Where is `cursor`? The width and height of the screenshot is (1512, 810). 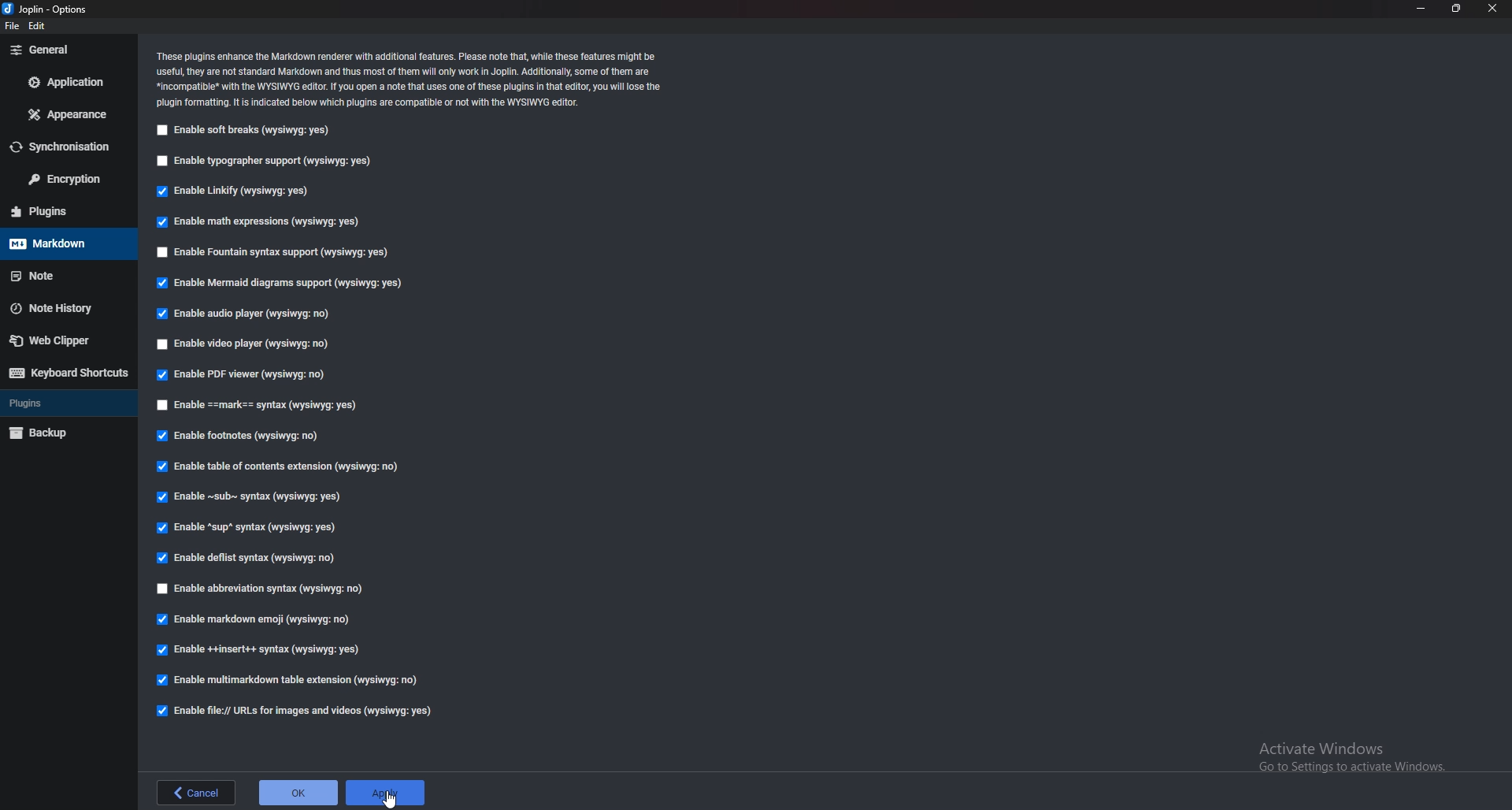
cursor is located at coordinates (392, 799).